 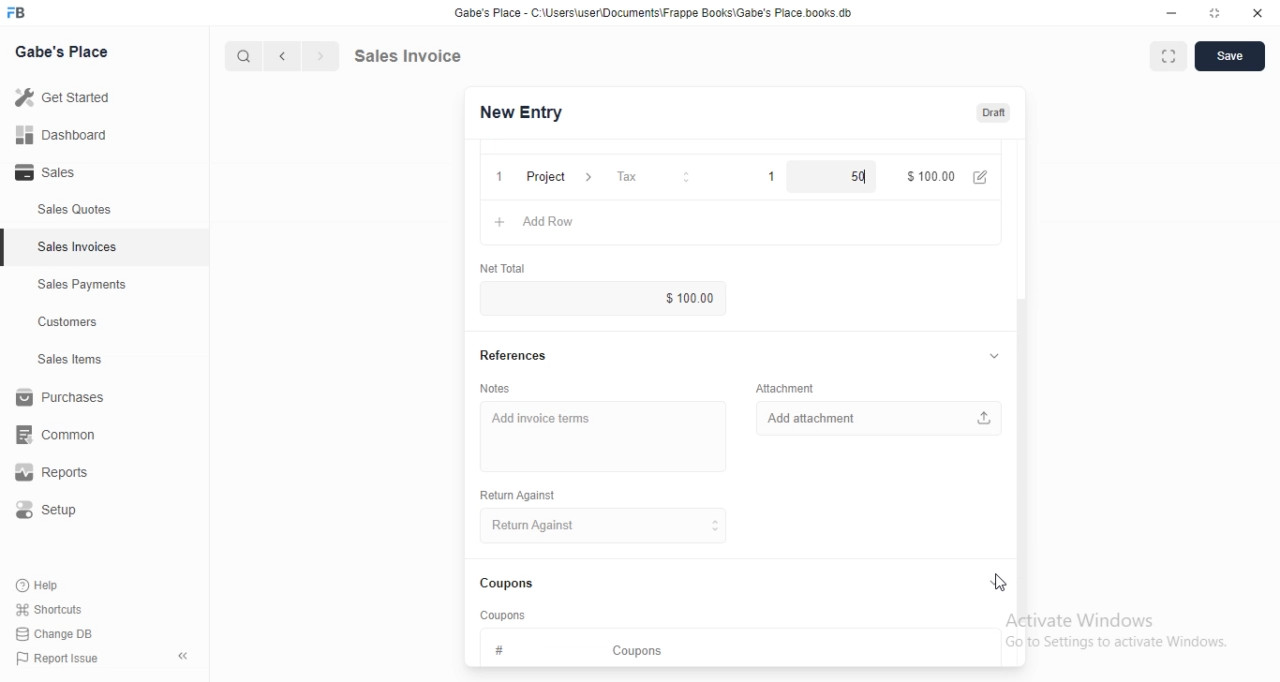 What do you see at coordinates (762, 175) in the screenshot?
I see `1` at bounding box center [762, 175].